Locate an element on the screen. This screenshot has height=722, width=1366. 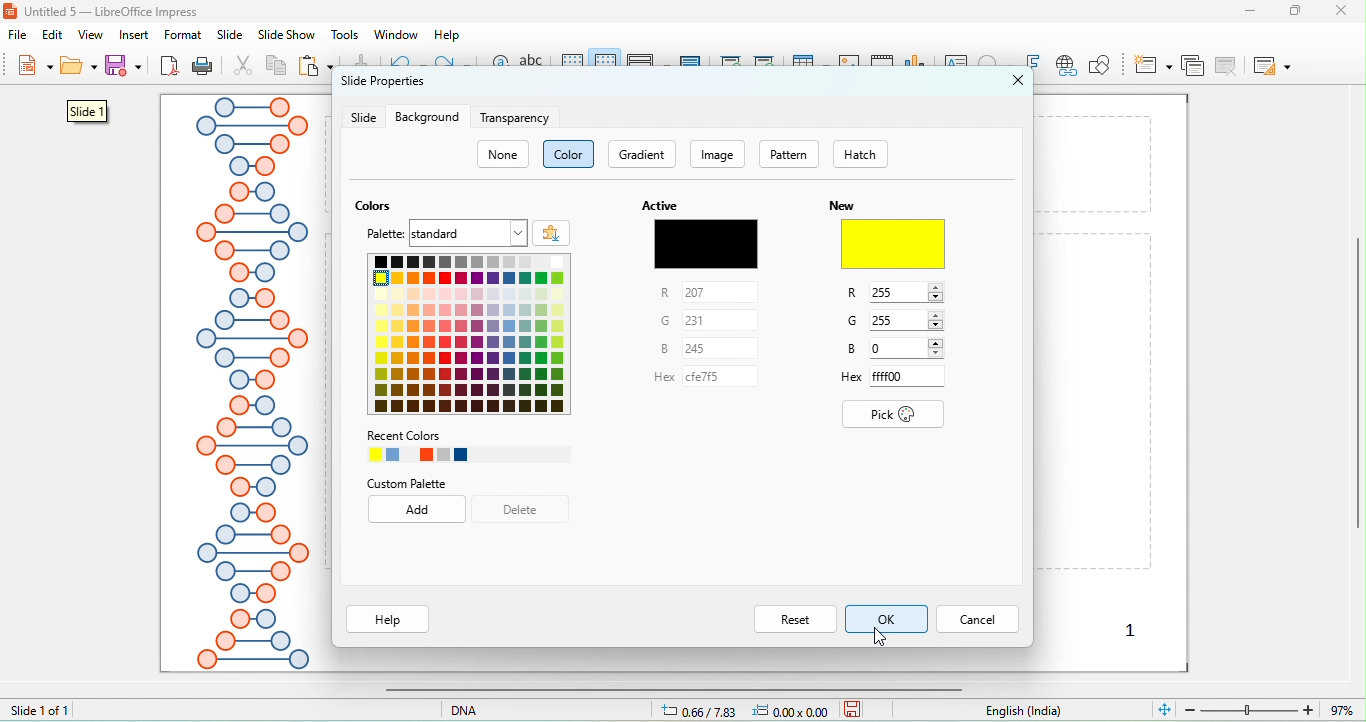
R is located at coordinates (699, 293).